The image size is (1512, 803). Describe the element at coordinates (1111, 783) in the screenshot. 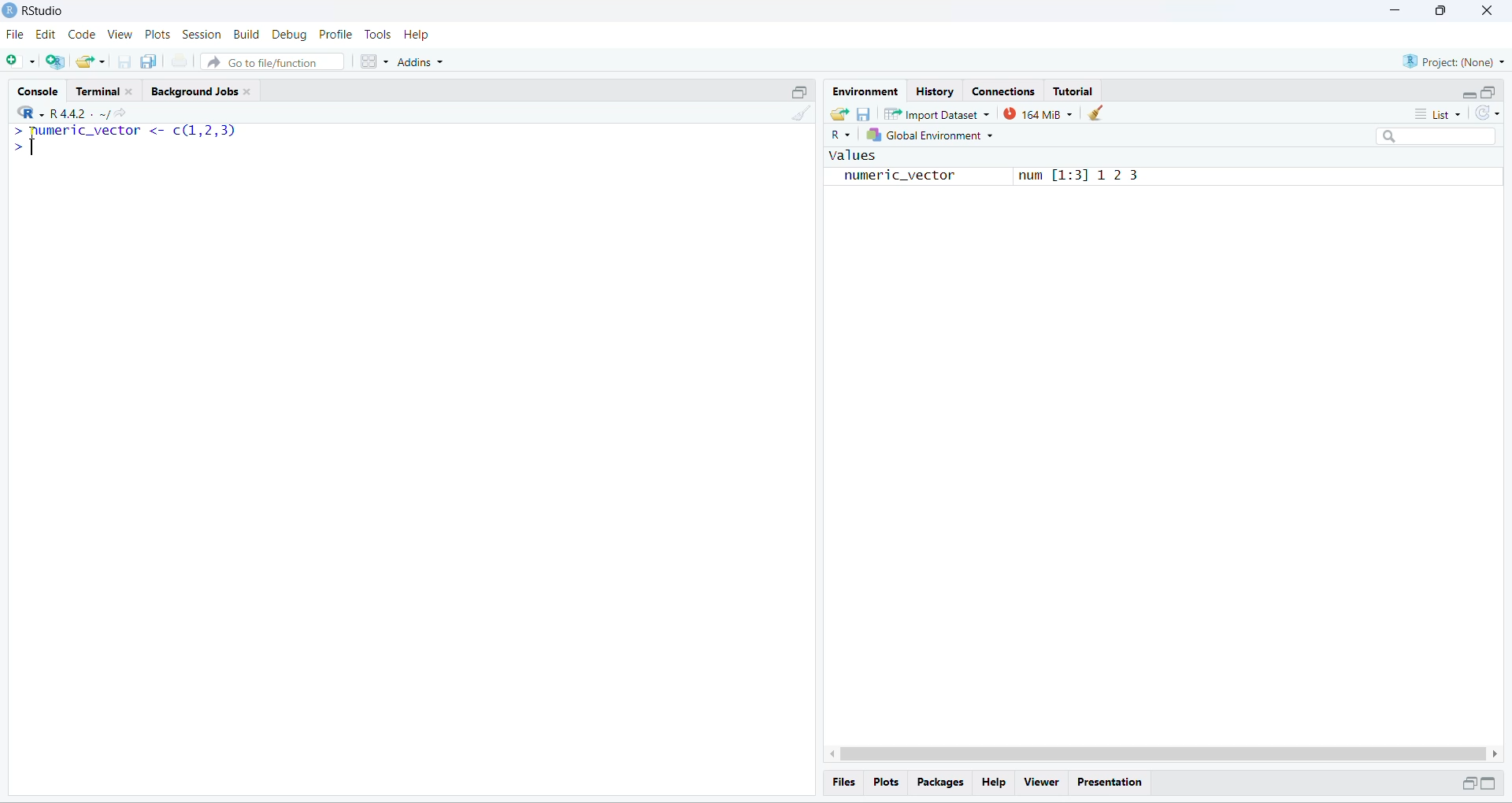

I see `Presentation` at that location.